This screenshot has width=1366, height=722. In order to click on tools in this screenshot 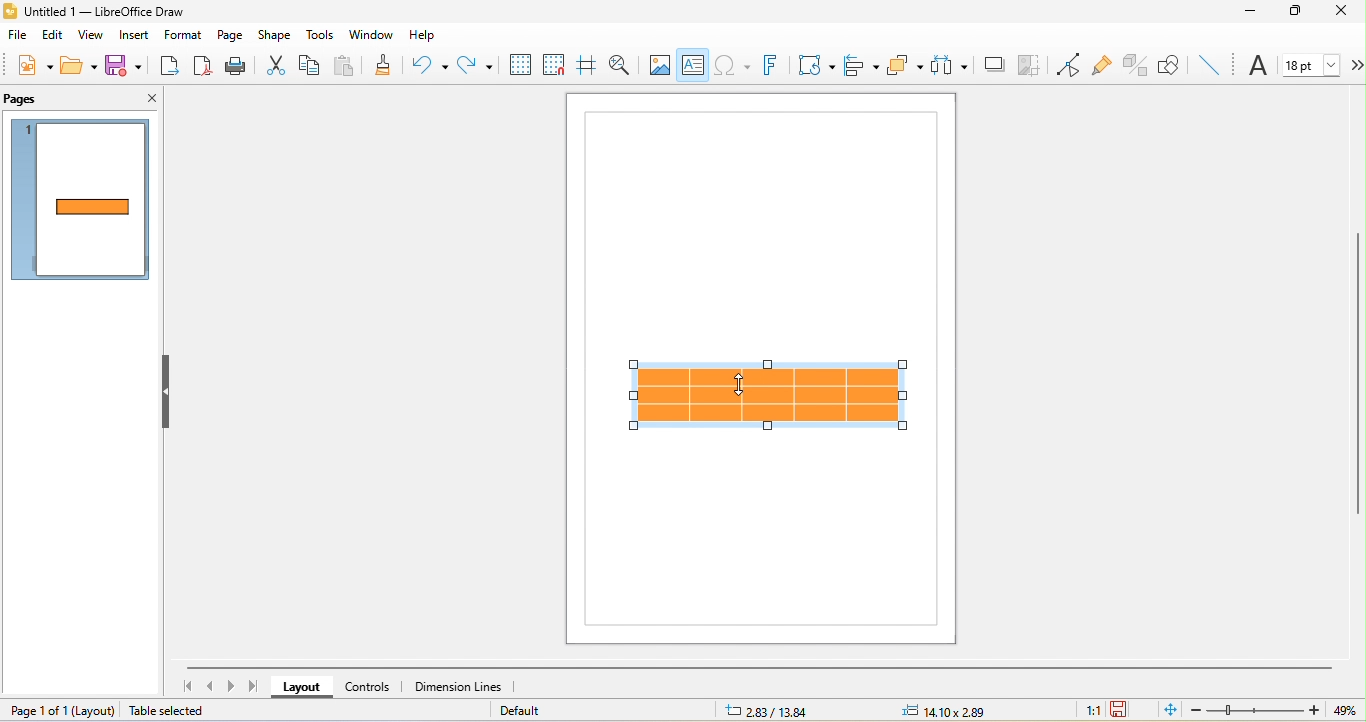, I will do `click(317, 35)`.